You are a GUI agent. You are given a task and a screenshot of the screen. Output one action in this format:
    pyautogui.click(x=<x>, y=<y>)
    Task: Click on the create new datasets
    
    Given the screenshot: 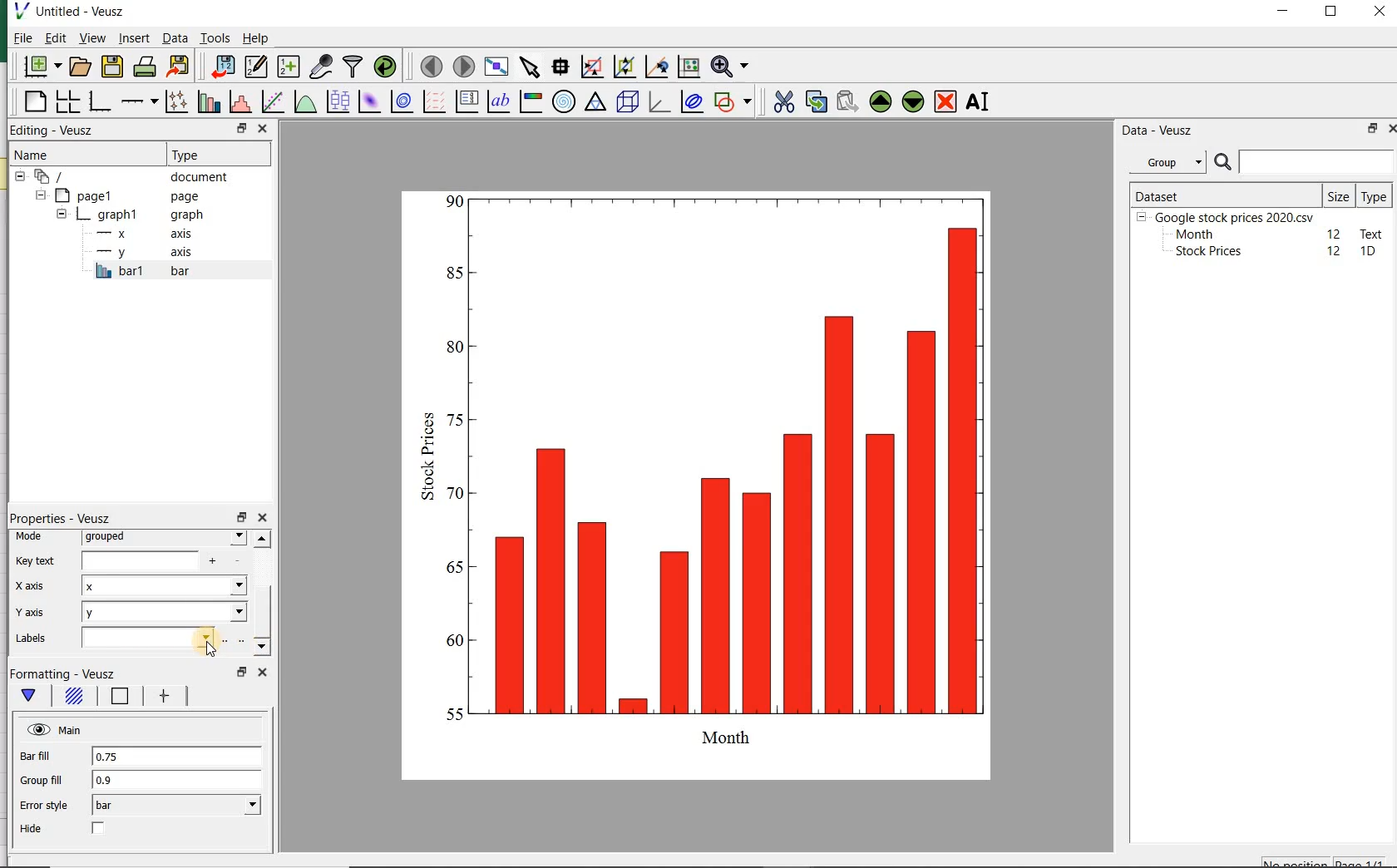 What is the action you would take?
    pyautogui.click(x=289, y=67)
    